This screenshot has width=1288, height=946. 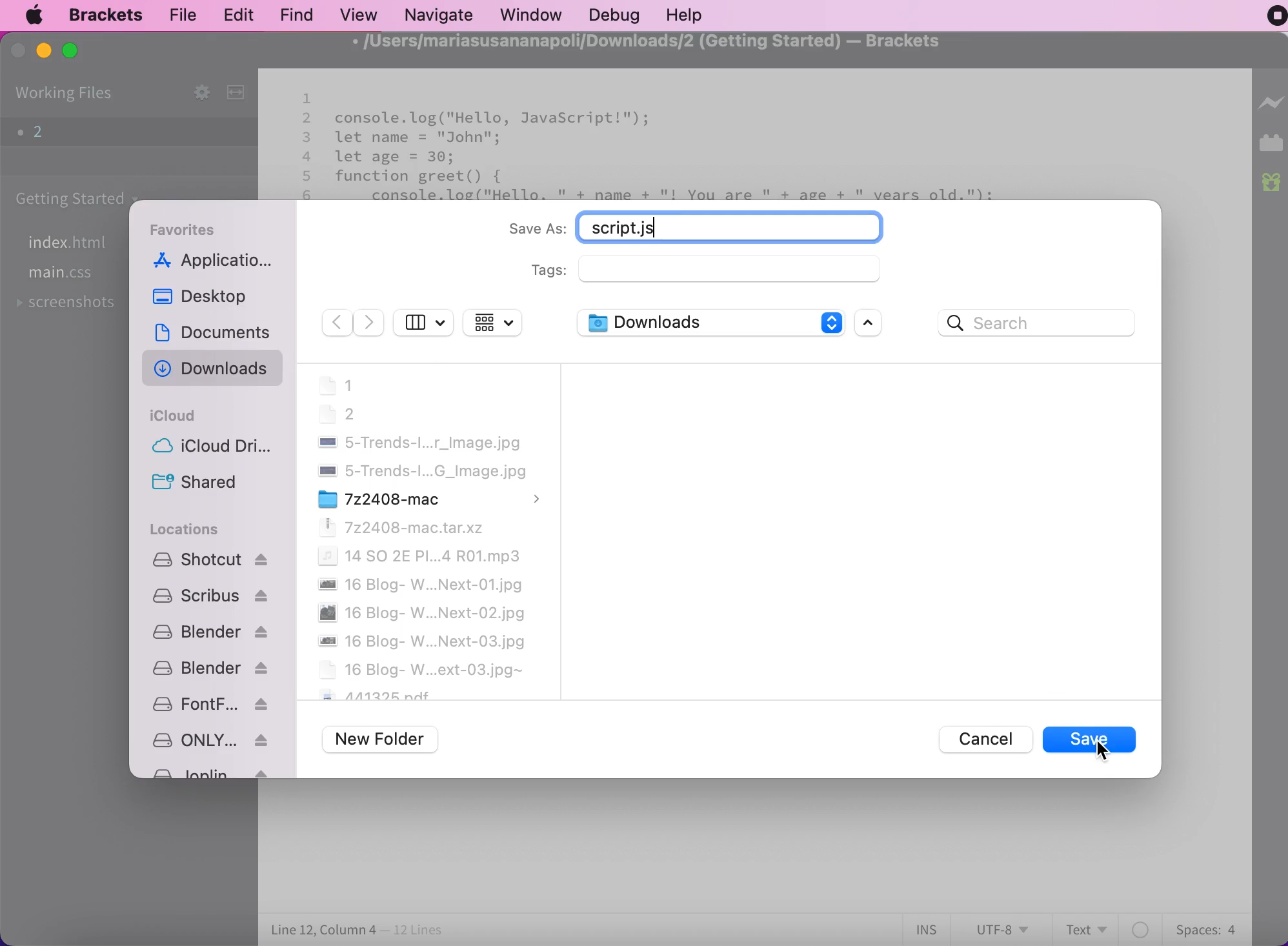 What do you see at coordinates (66, 94) in the screenshot?
I see `working files` at bounding box center [66, 94].